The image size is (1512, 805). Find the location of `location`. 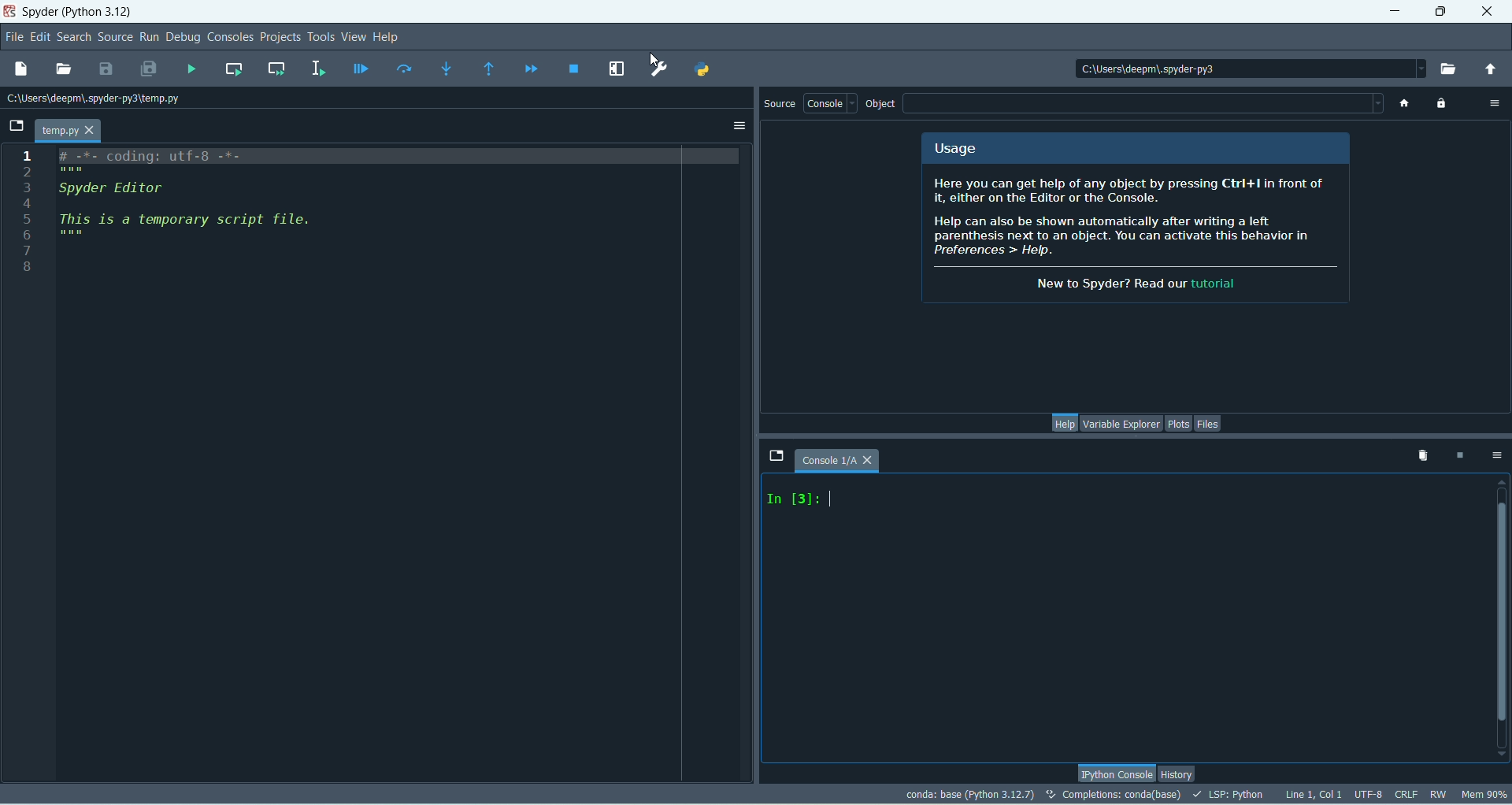

location is located at coordinates (1240, 67).